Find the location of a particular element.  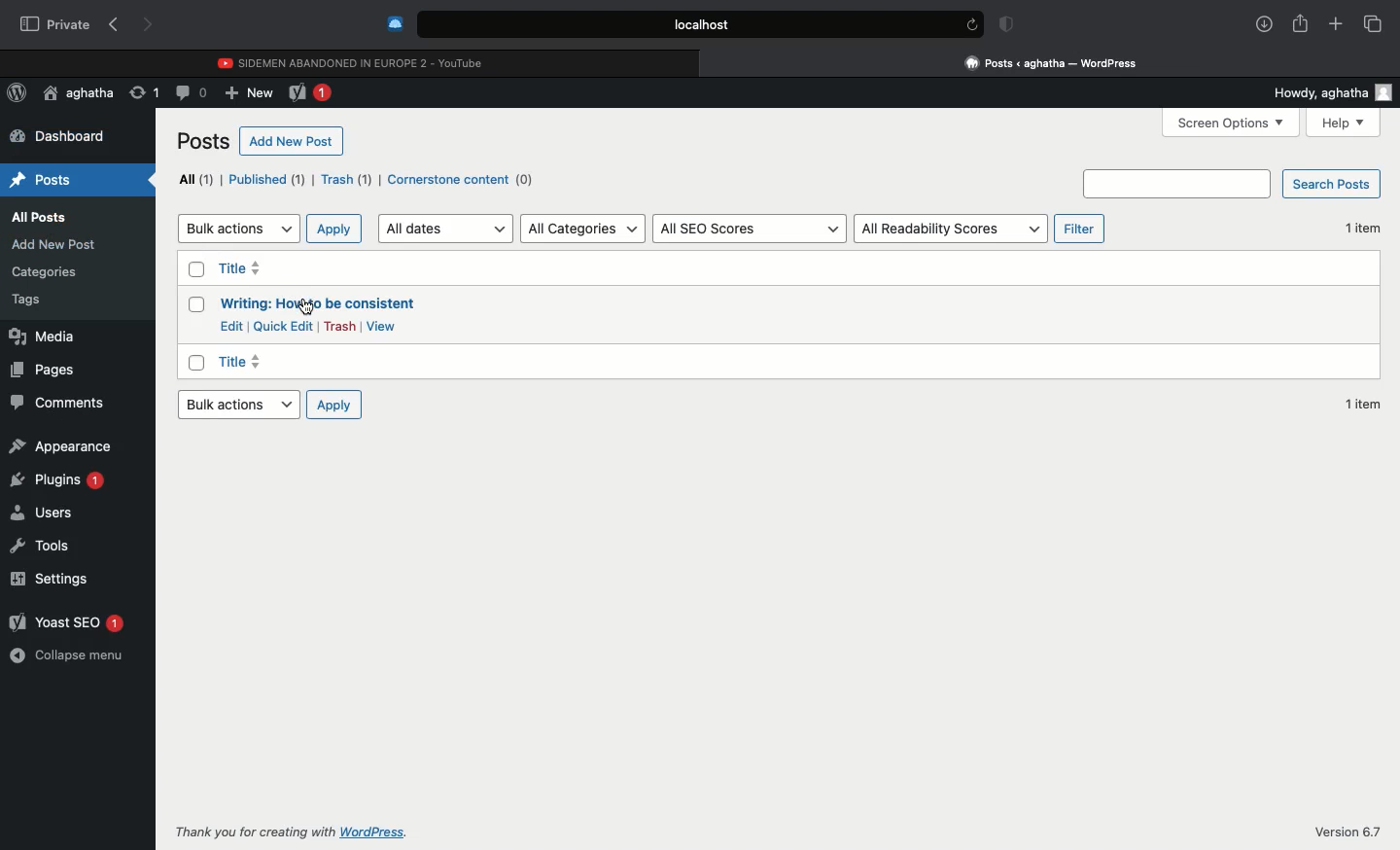

tags is located at coordinates (41, 300).